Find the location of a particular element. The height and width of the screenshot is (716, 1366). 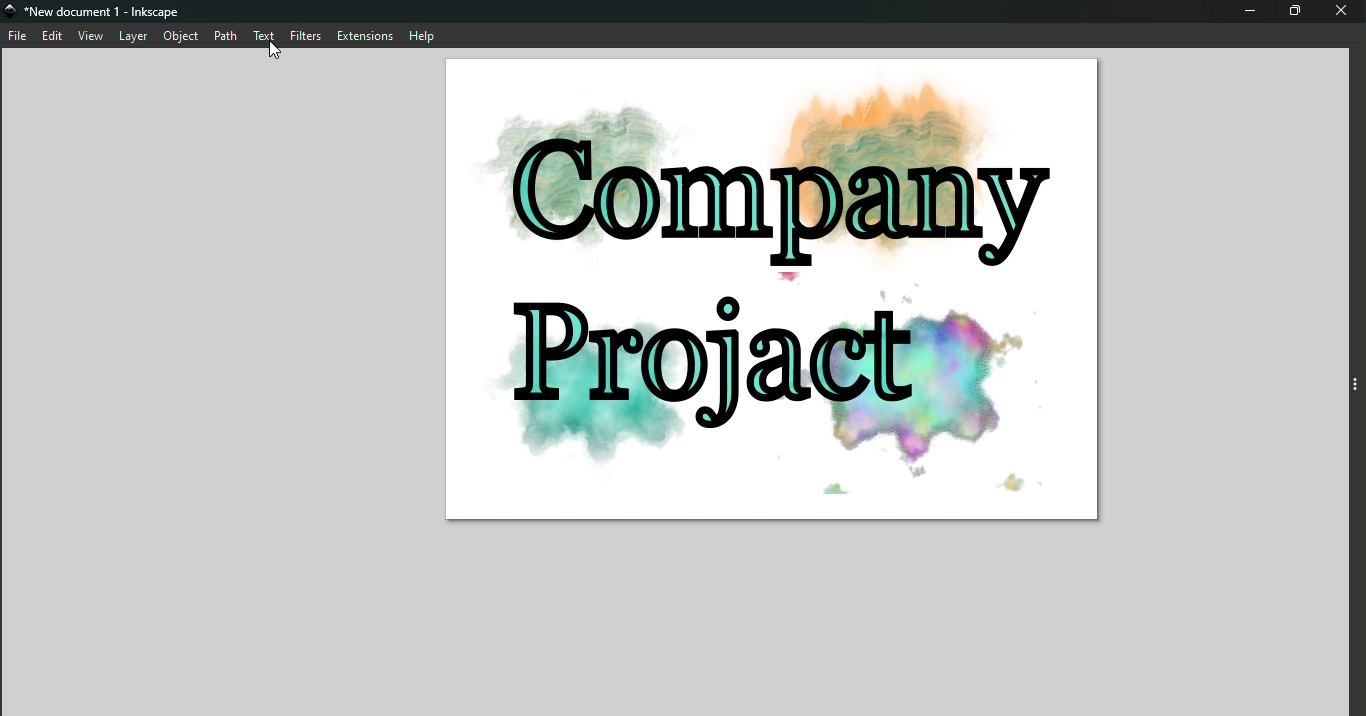

 *New document 1 - Inkscape is located at coordinates (110, 12).